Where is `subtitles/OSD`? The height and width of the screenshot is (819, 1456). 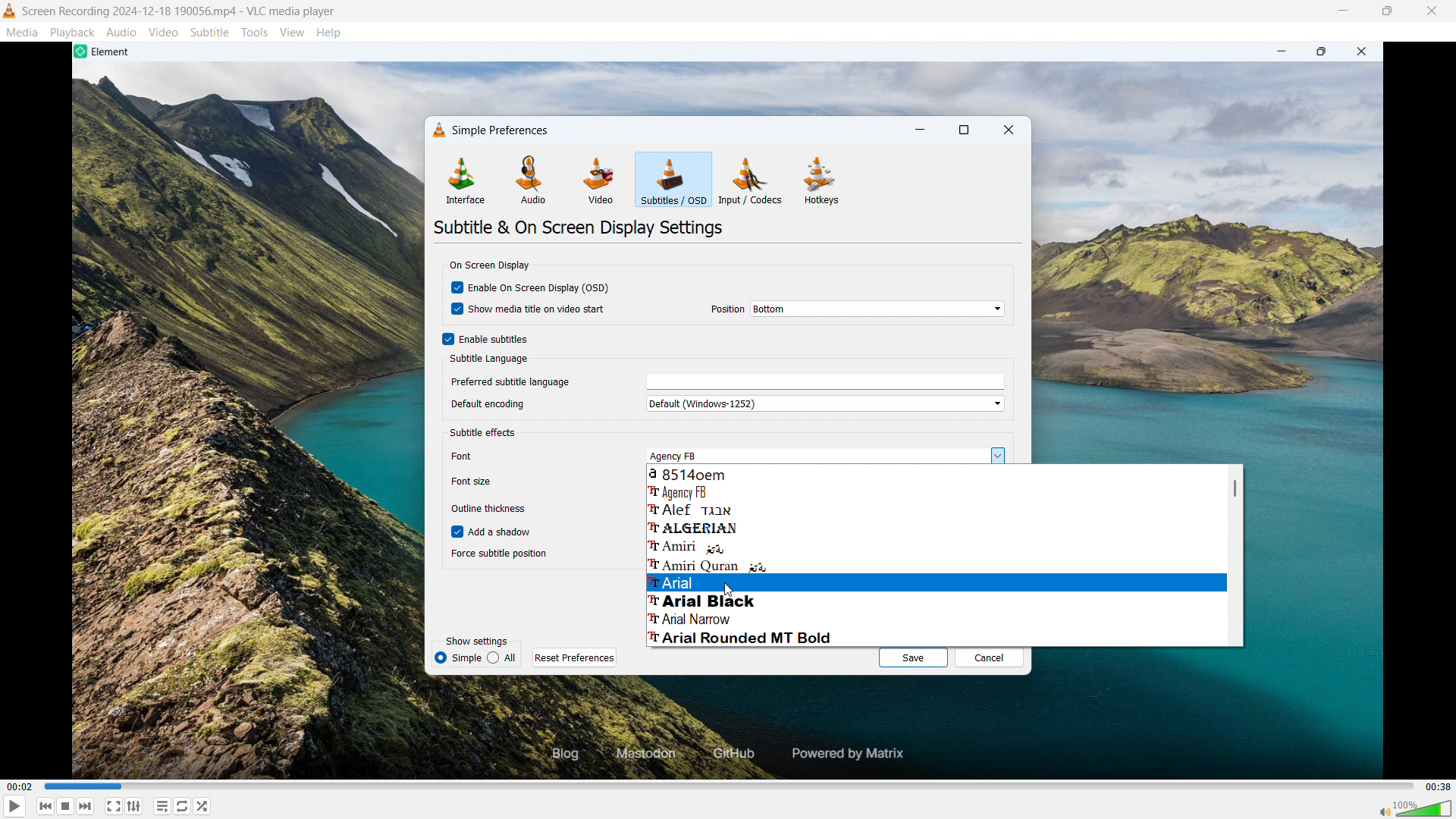 subtitles/OSD is located at coordinates (673, 180).